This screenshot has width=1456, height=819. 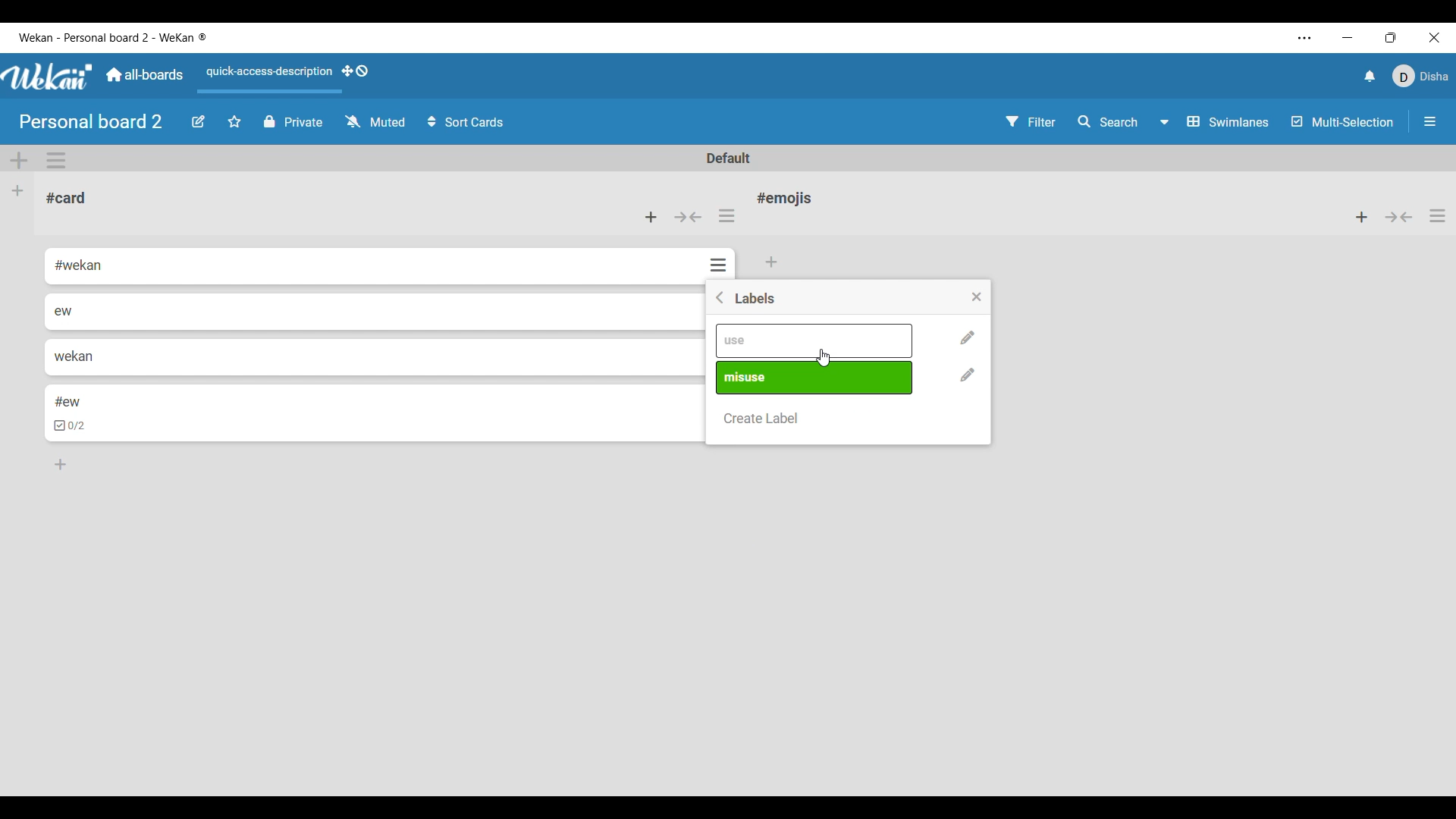 What do you see at coordinates (66, 198) in the screenshot?
I see `Card name` at bounding box center [66, 198].